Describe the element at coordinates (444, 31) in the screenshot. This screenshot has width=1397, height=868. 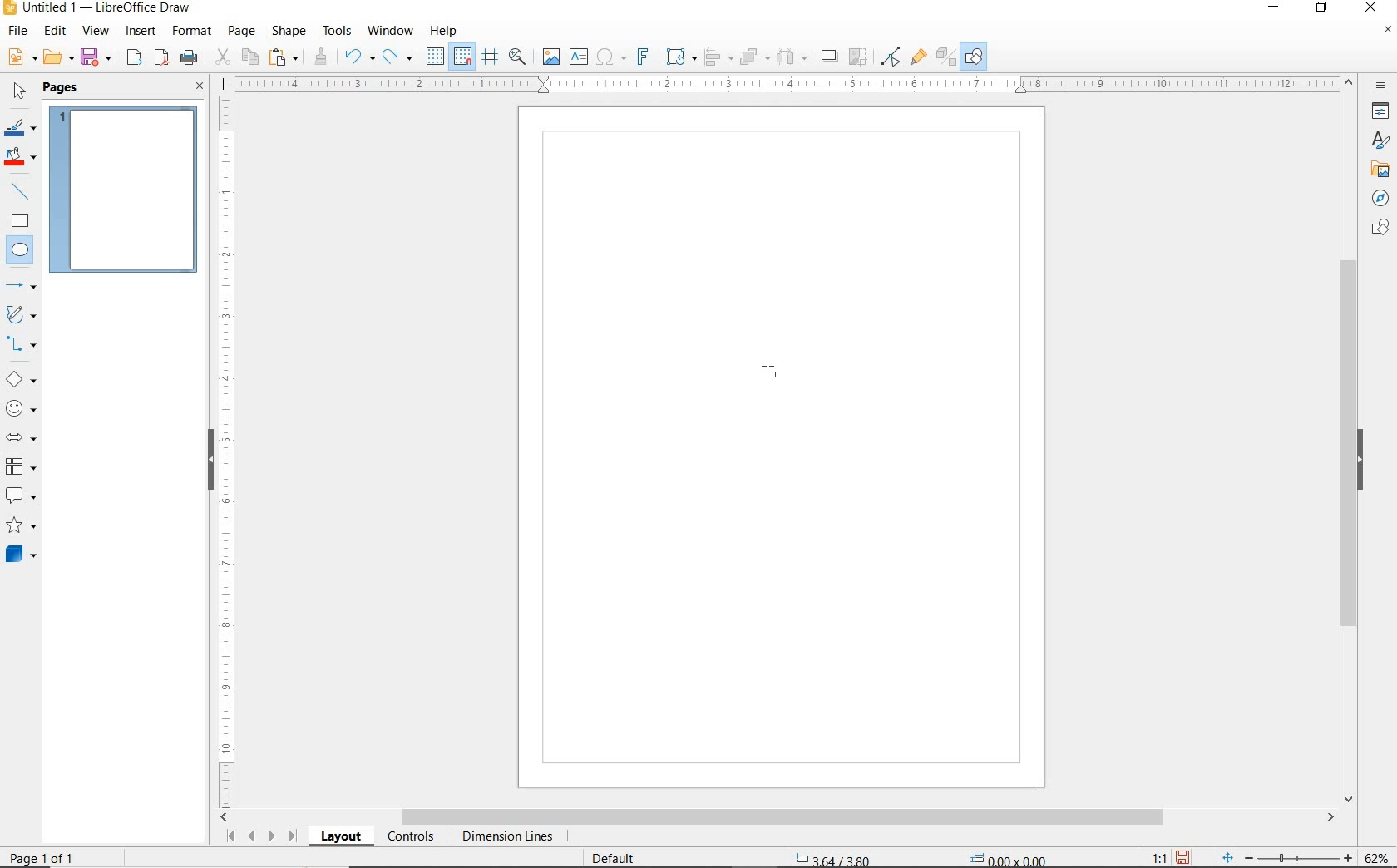
I see `HELP` at that location.